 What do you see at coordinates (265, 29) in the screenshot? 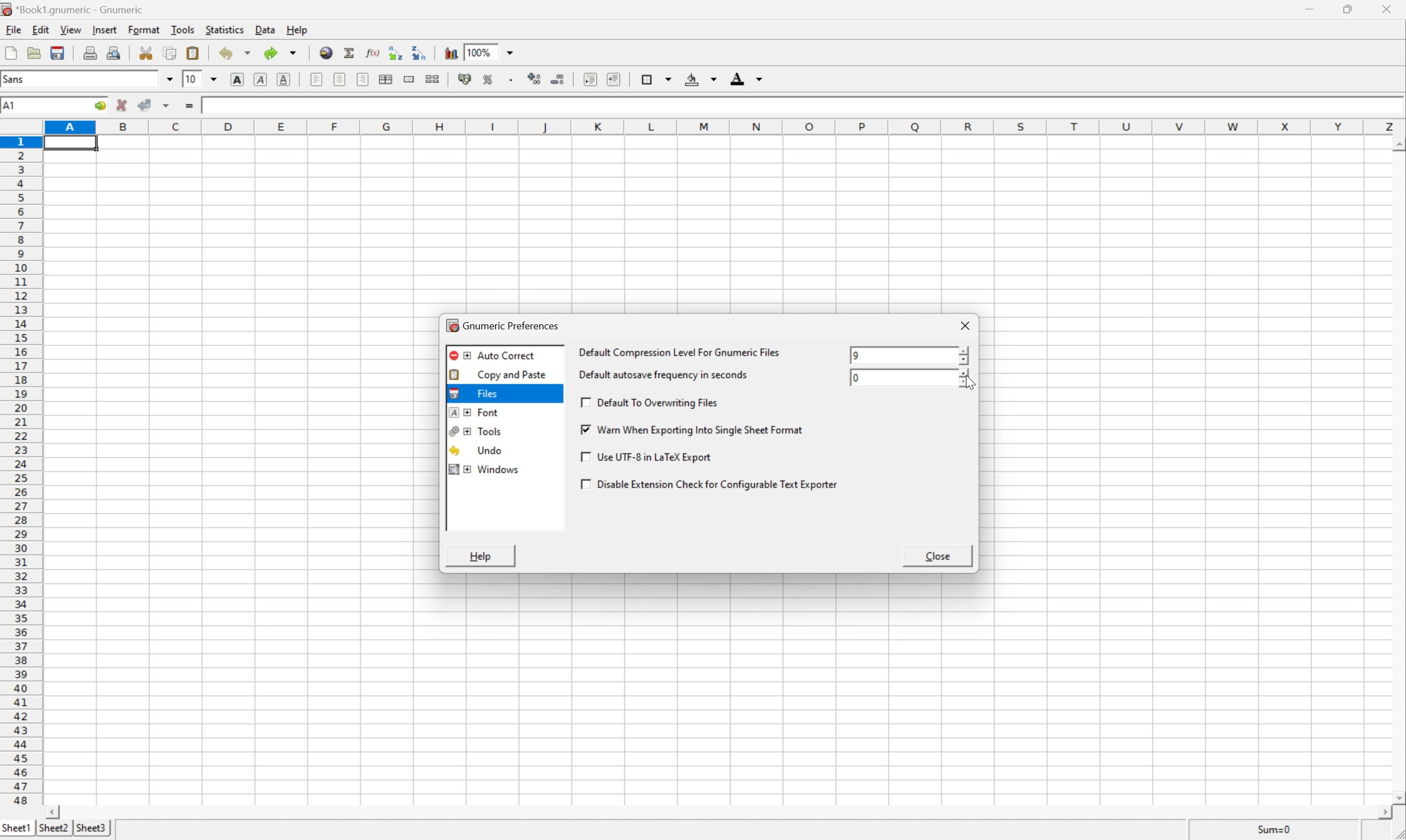
I see `data` at bounding box center [265, 29].